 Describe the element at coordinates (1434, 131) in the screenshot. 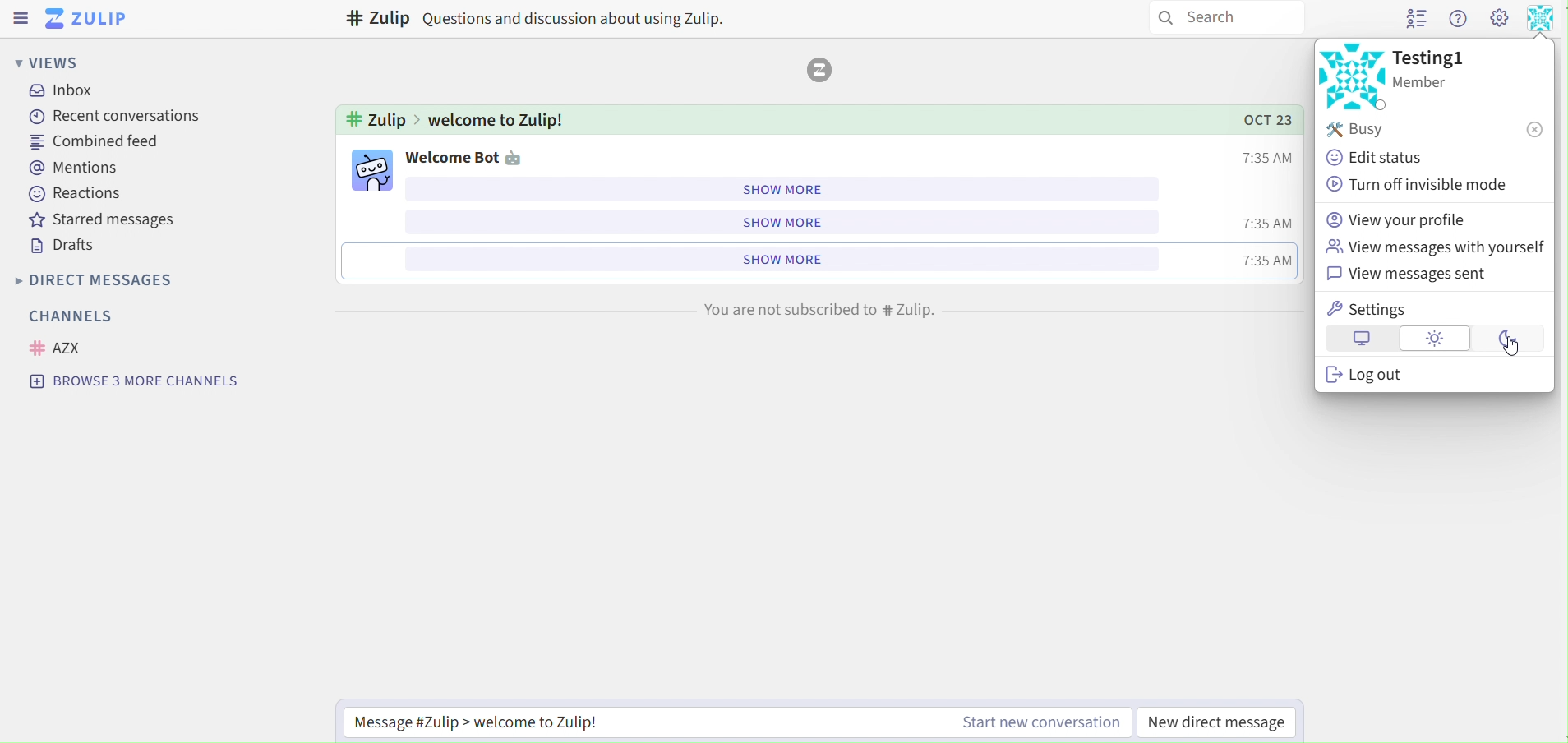

I see `busy` at that location.